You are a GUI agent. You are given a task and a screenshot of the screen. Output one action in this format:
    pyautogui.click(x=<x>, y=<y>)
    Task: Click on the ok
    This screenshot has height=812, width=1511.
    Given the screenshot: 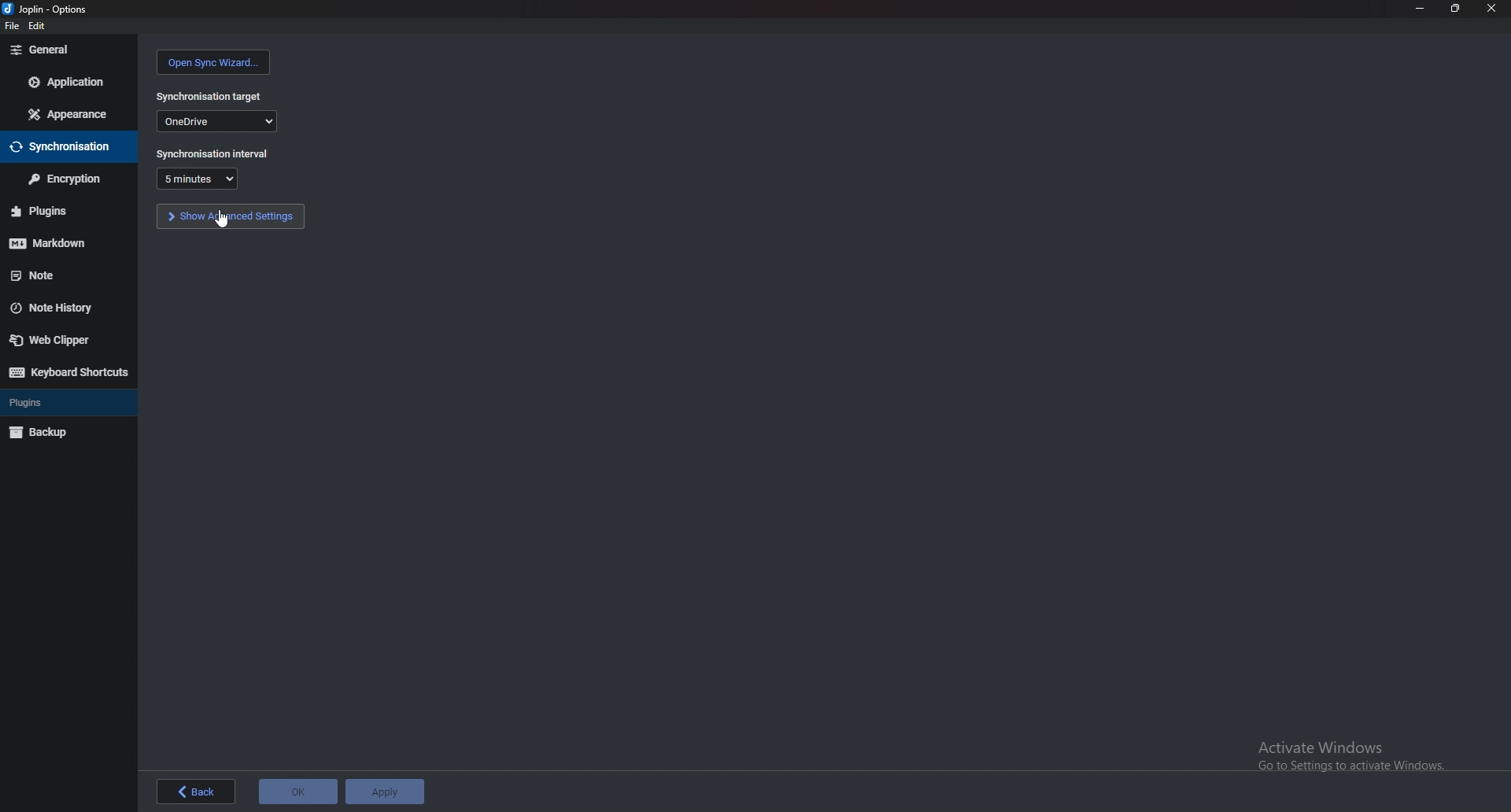 What is the action you would take?
    pyautogui.click(x=296, y=792)
    